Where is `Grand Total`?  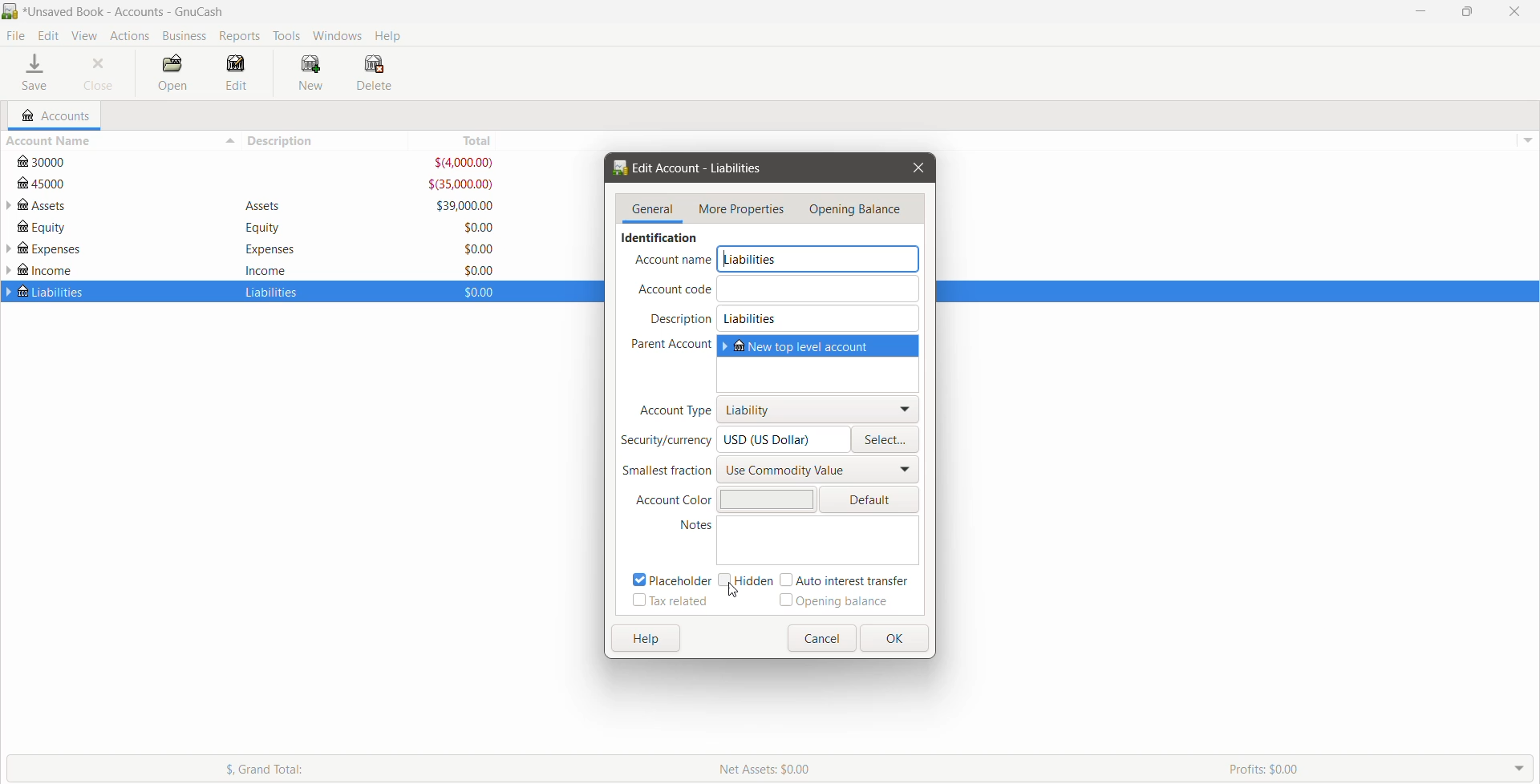 Grand Total is located at coordinates (349, 768).